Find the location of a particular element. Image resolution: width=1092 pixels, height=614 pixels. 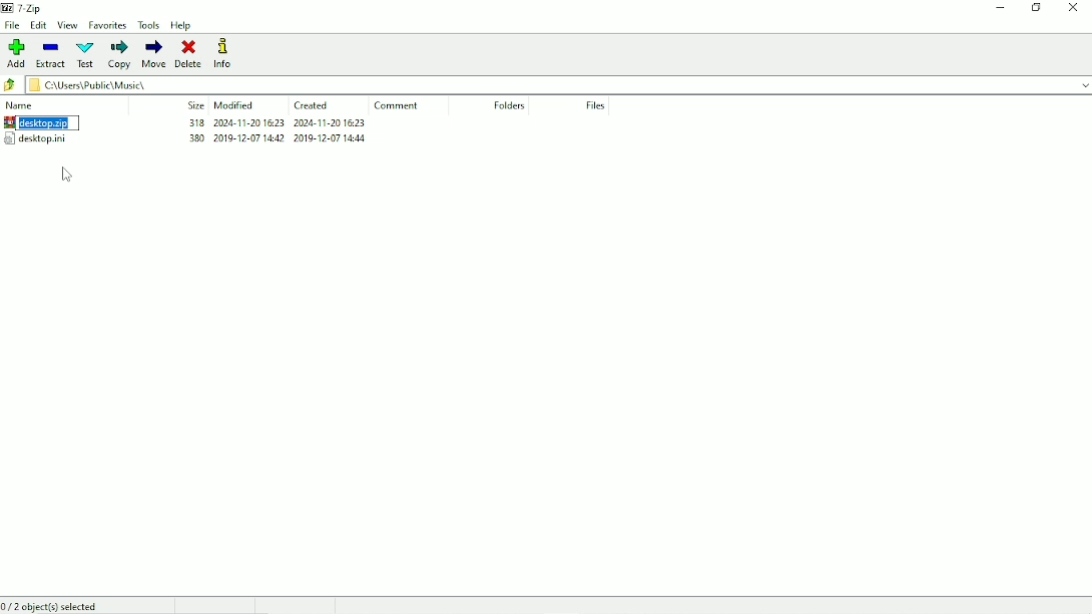

View is located at coordinates (67, 26).